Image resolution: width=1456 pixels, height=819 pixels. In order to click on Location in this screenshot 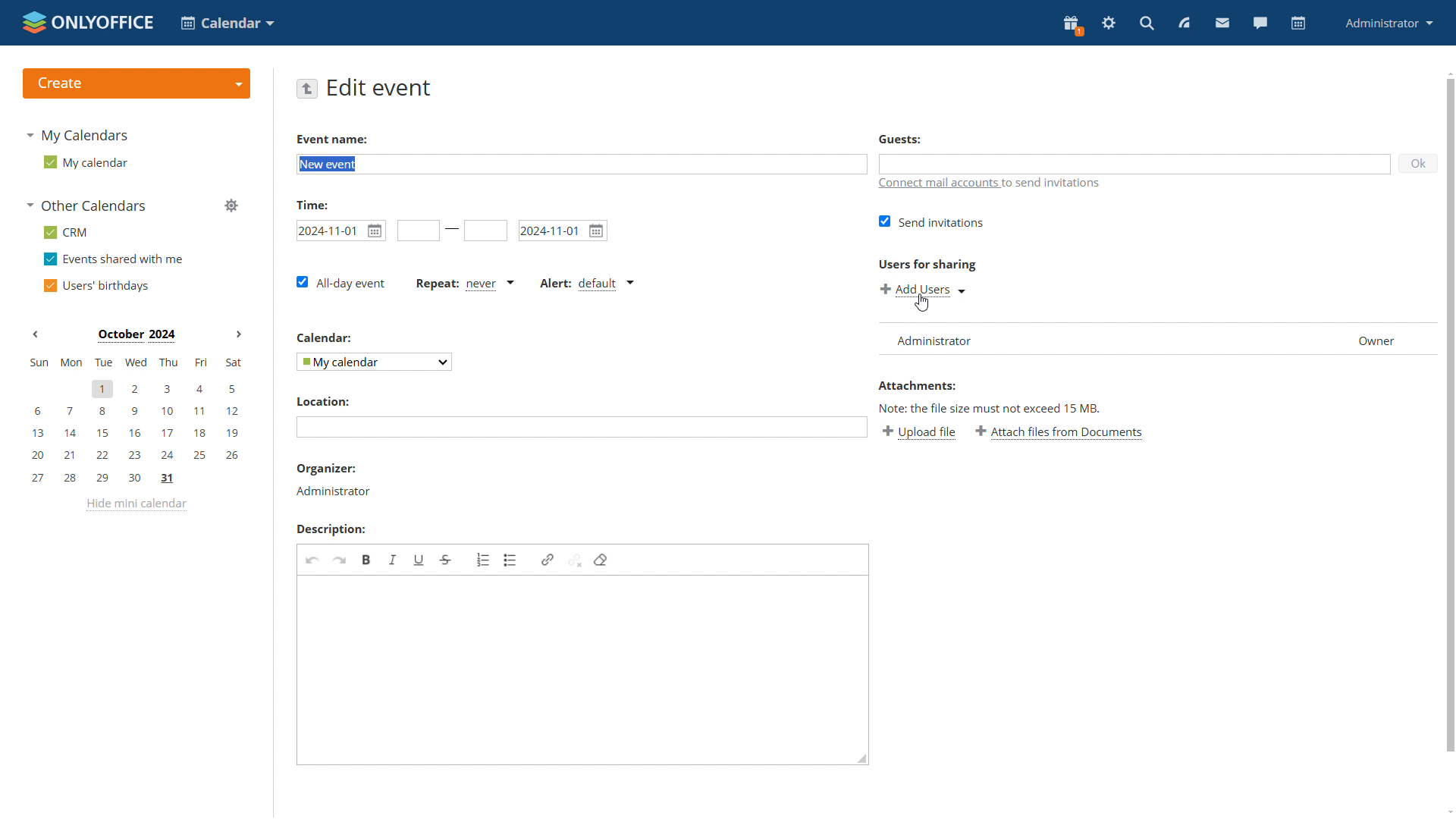, I will do `click(323, 401)`.